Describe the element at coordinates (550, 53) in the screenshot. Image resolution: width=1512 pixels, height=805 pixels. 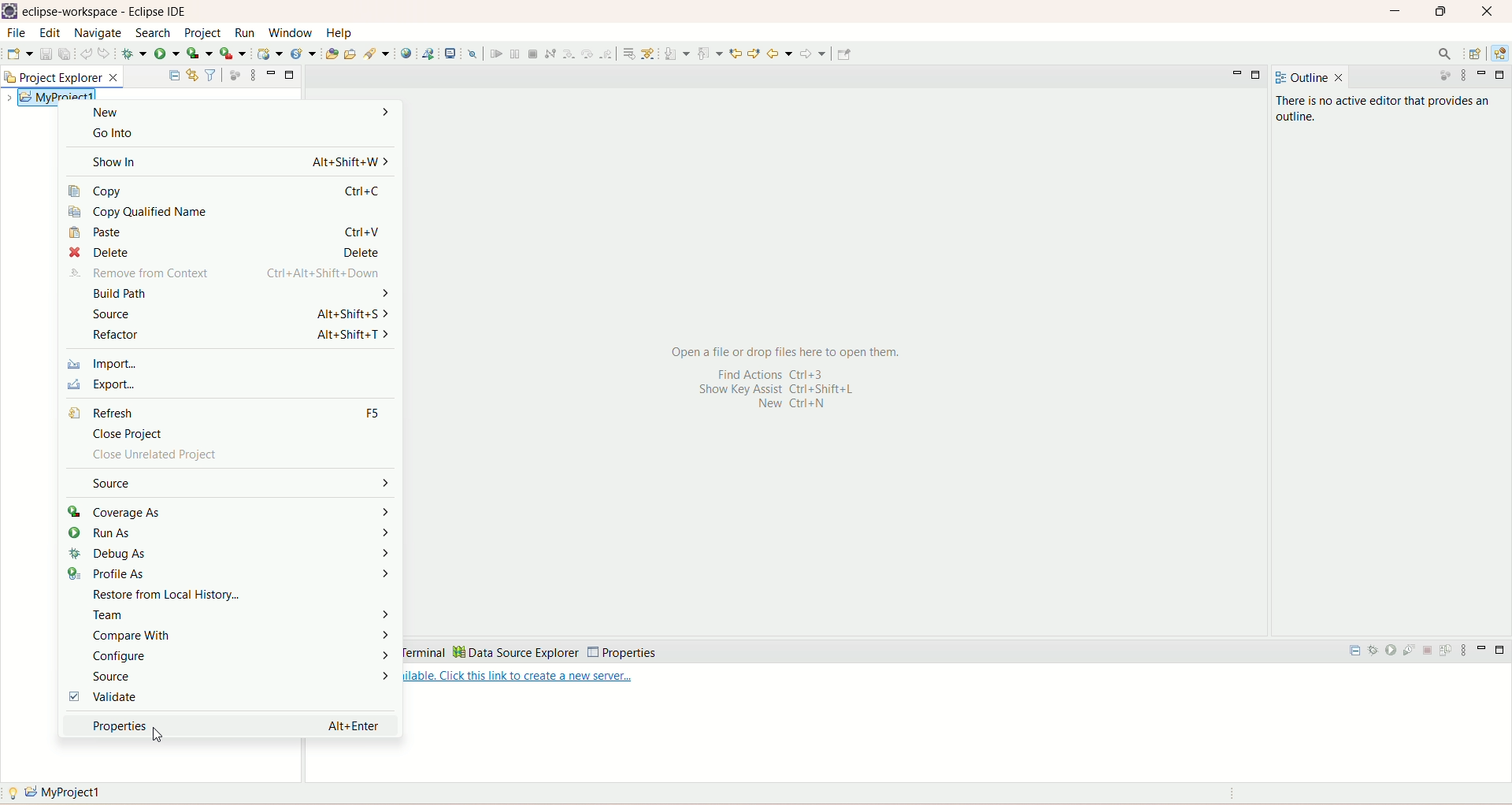
I see `disconnect` at that location.